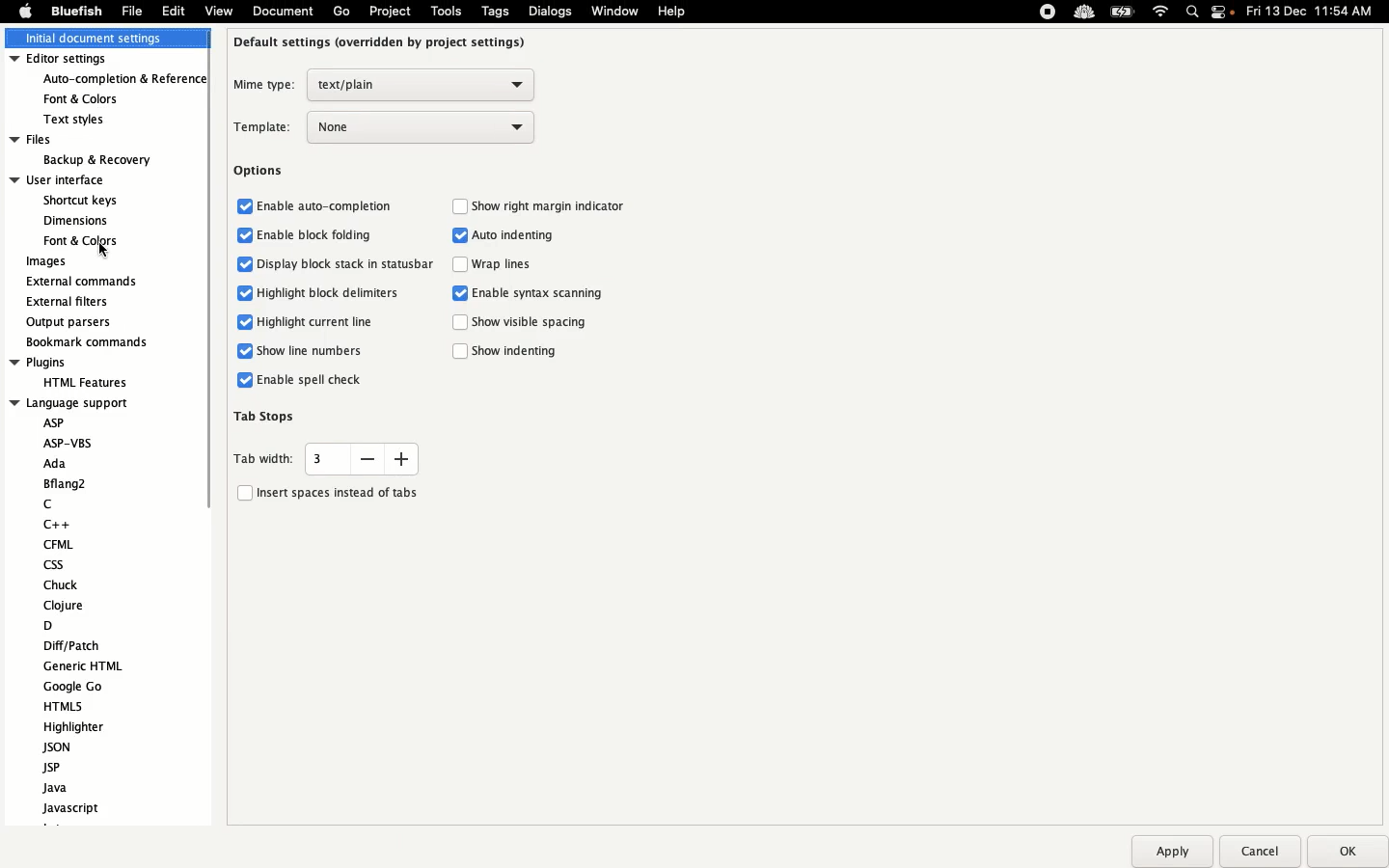 Image resolution: width=1389 pixels, height=868 pixels. I want to click on Notification, so click(1224, 14).